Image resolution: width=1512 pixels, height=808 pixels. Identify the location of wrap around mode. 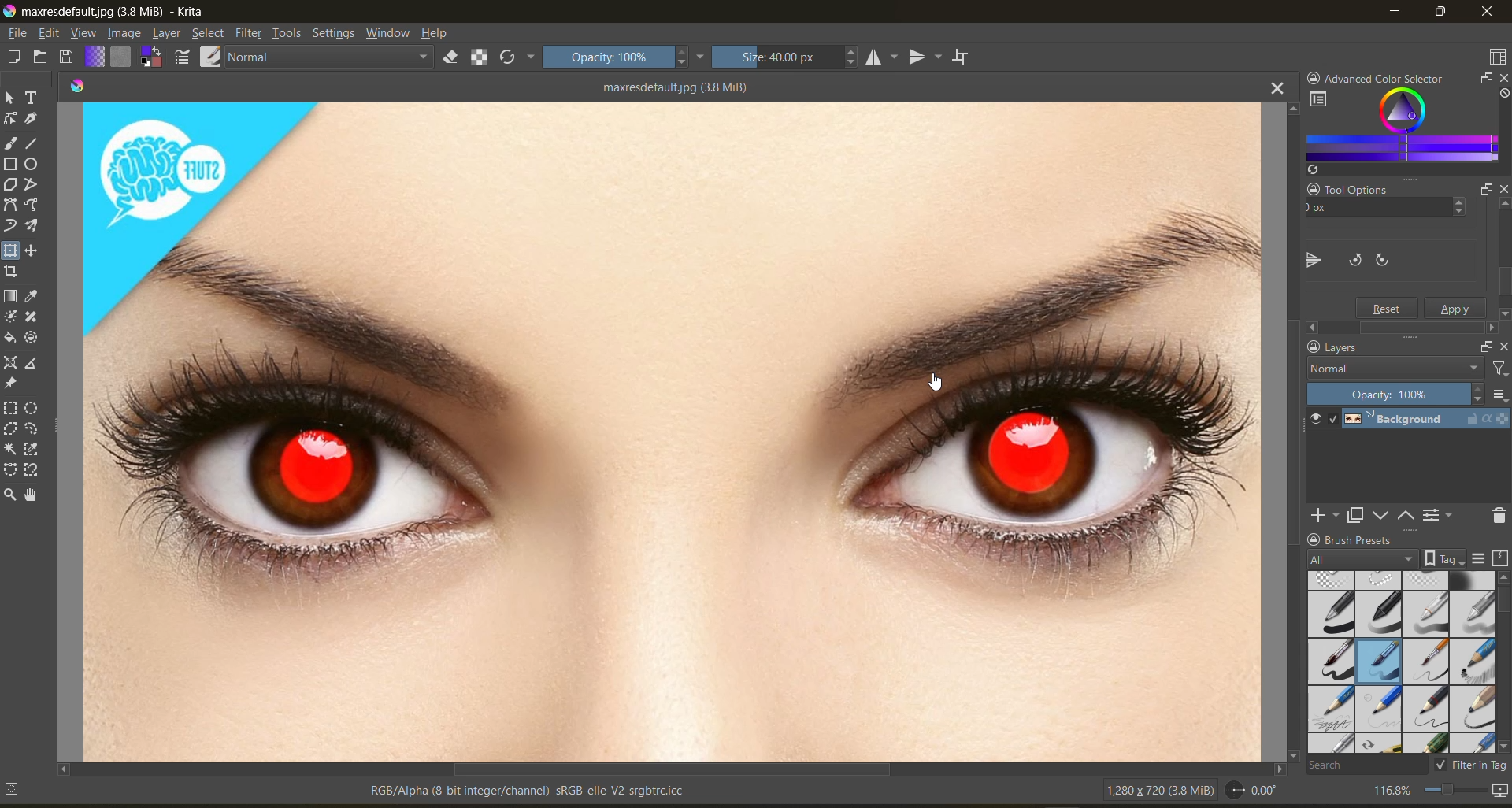
(966, 57).